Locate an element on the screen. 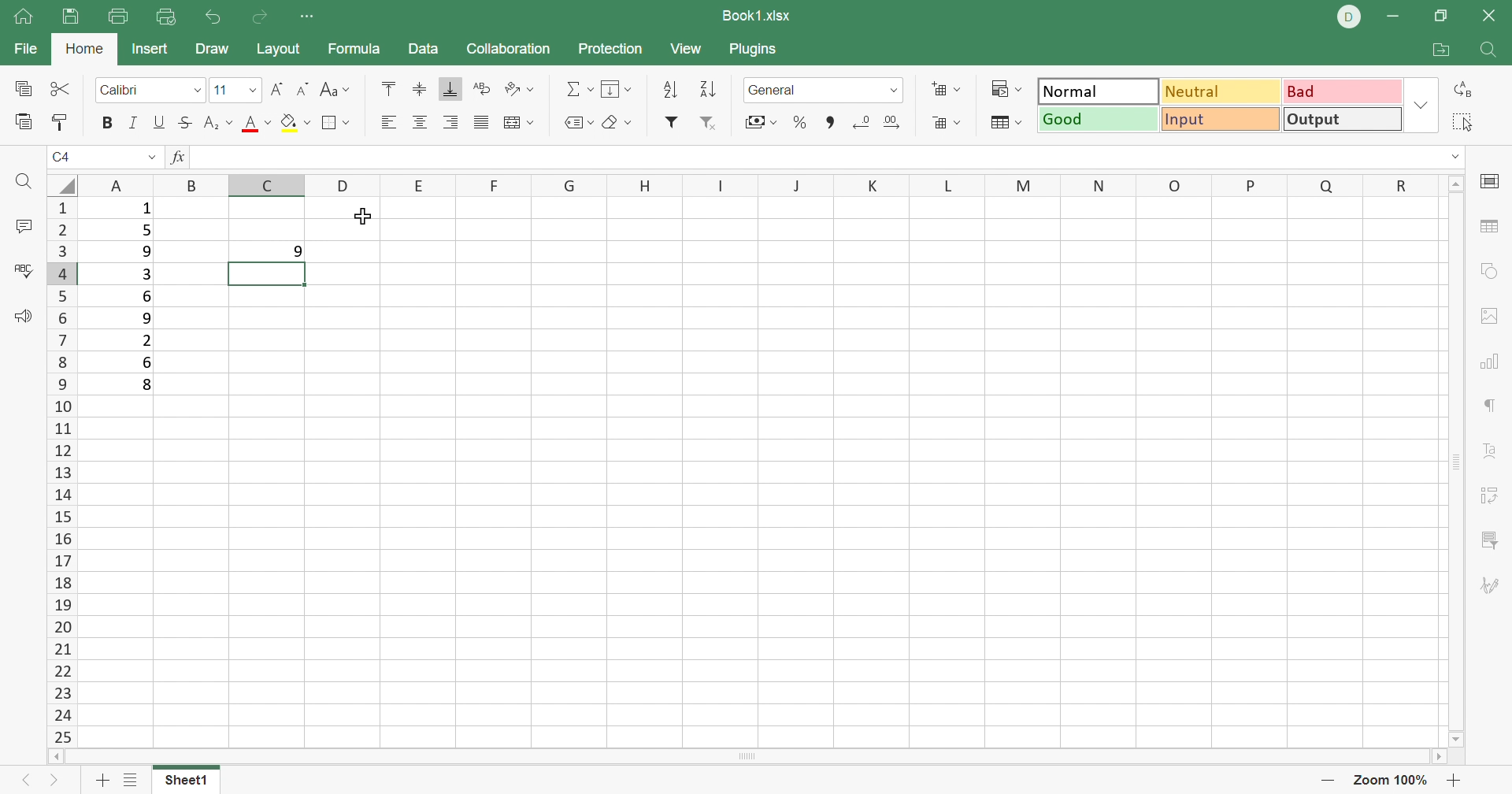 This screenshot has width=1512, height=794. Drop Down is located at coordinates (1458, 156).